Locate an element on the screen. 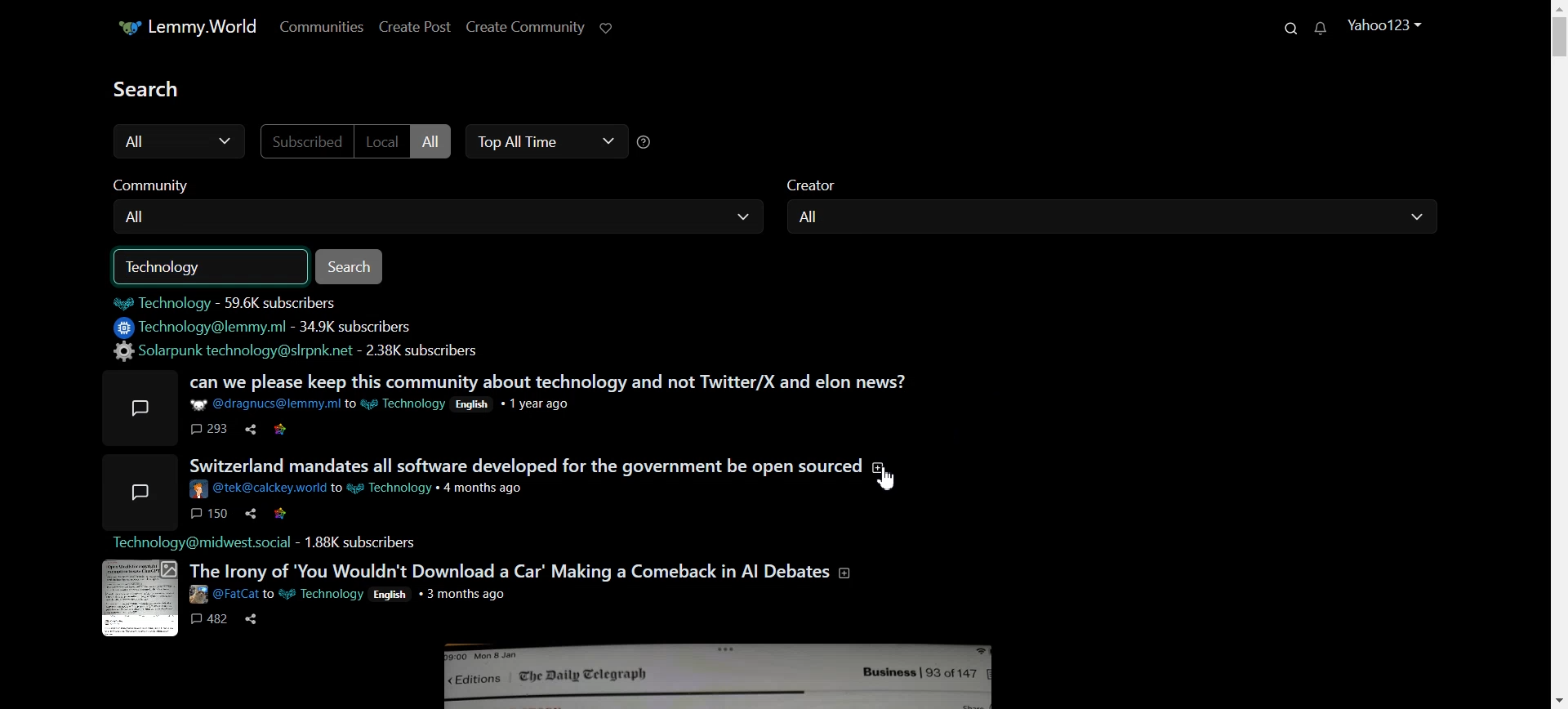 The height and width of the screenshot is (709, 1568). Technology@midwest social - 1.88K subscribers is located at coordinates (276, 542).